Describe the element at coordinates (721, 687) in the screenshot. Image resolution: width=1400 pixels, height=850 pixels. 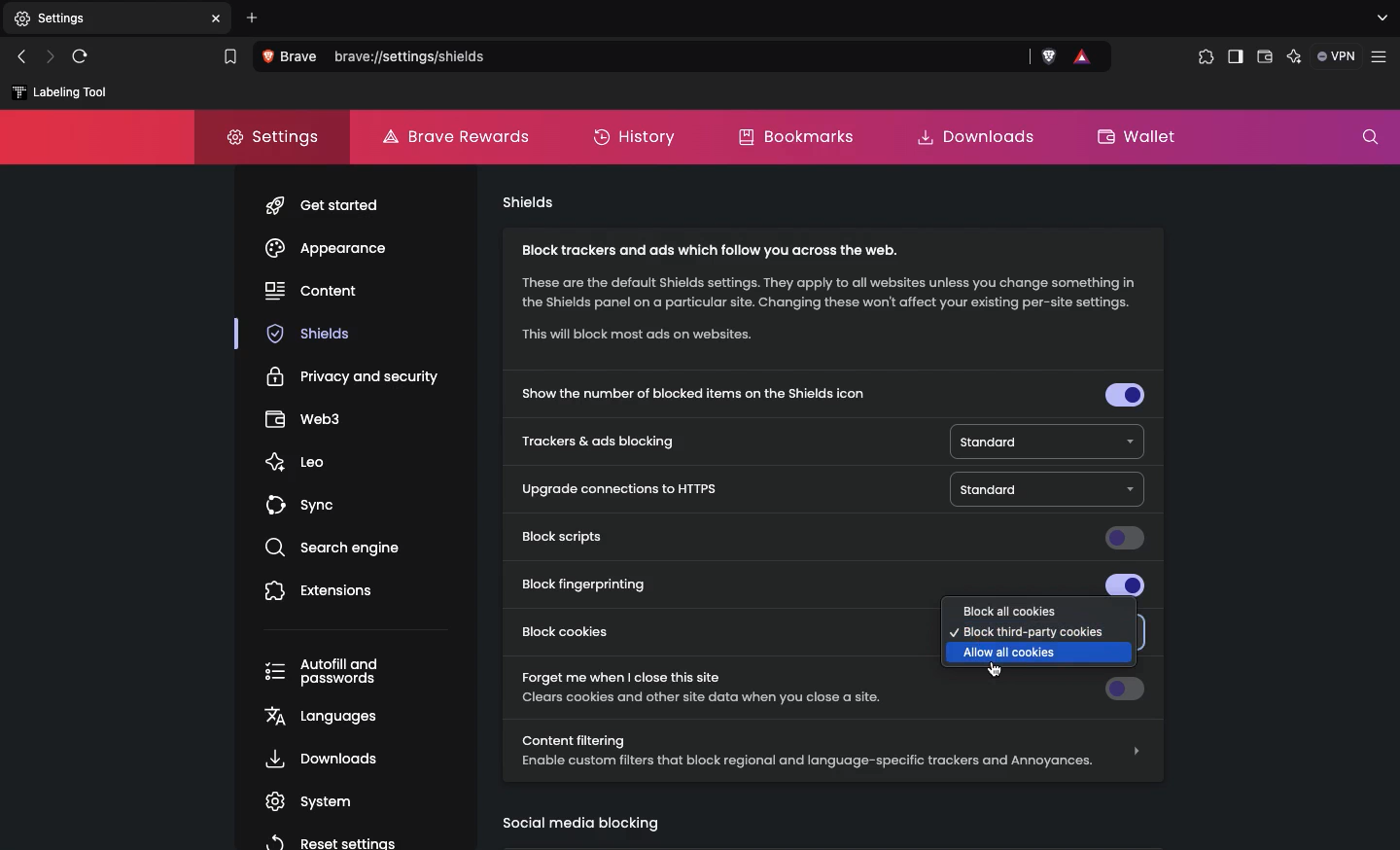
I see `Forget me when I close this site Clears cookies and other site data when you close a site.` at that location.